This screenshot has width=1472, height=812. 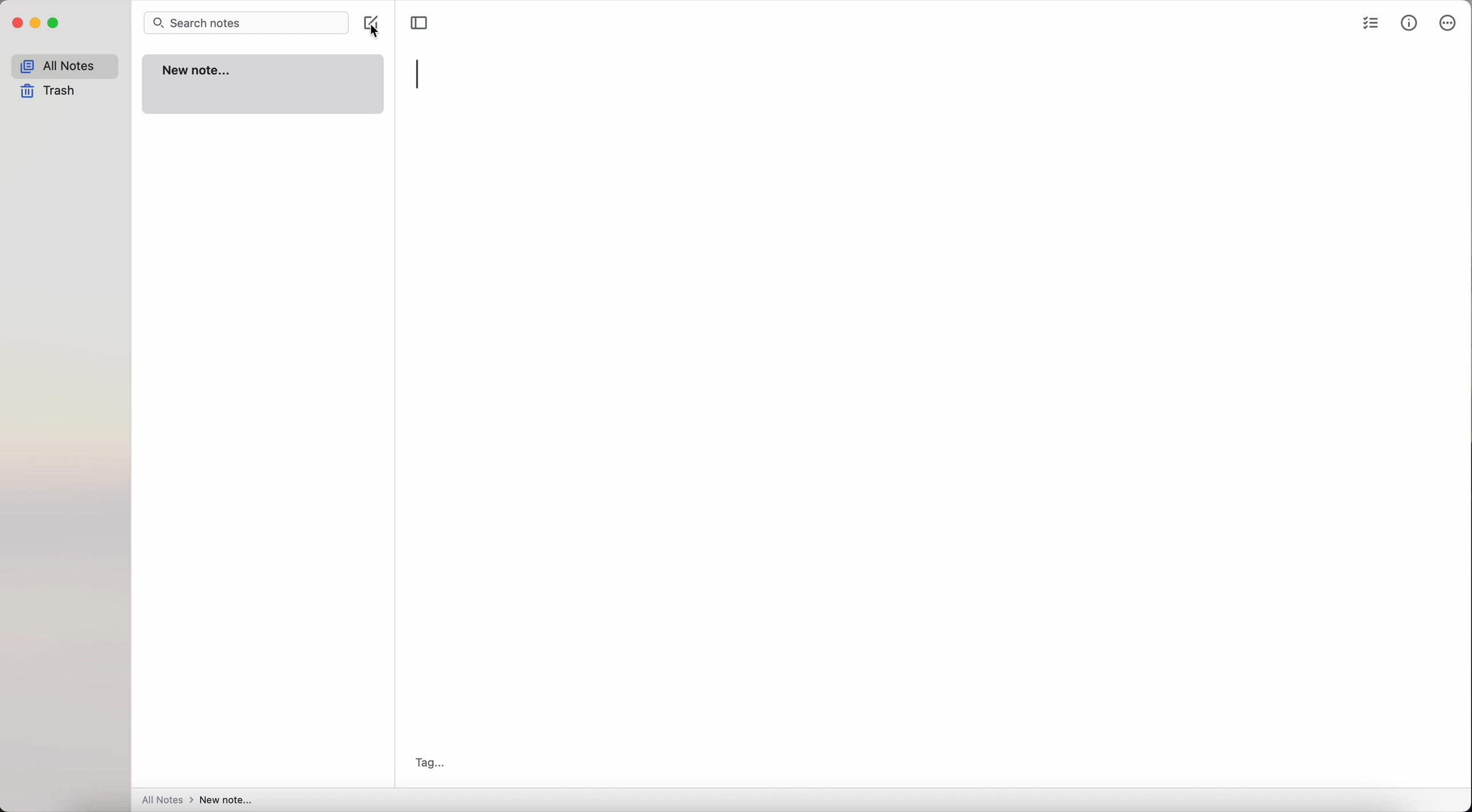 I want to click on metrics, so click(x=1410, y=22).